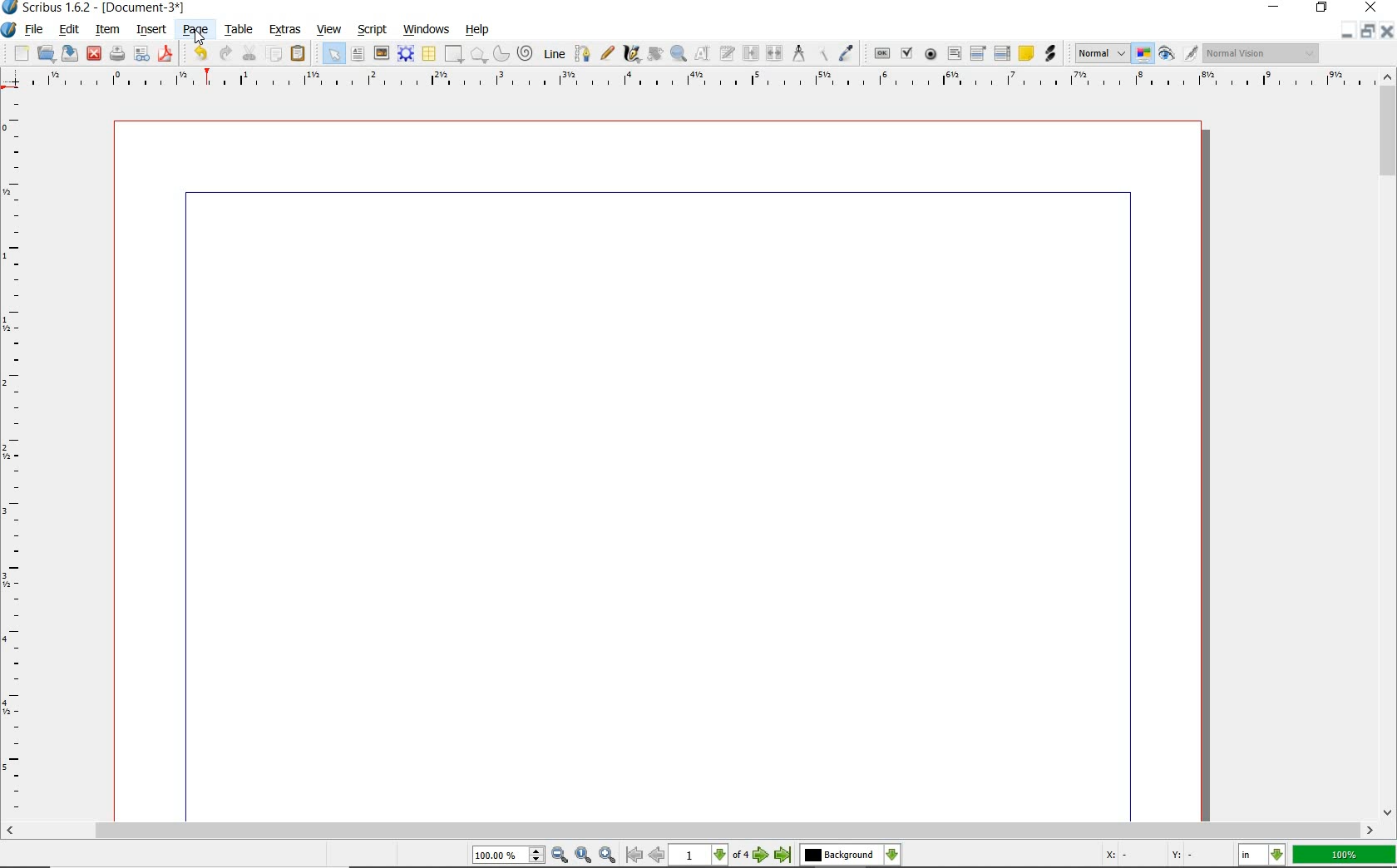 This screenshot has width=1397, height=868. What do you see at coordinates (1389, 33) in the screenshot?
I see `Close` at bounding box center [1389, 33].